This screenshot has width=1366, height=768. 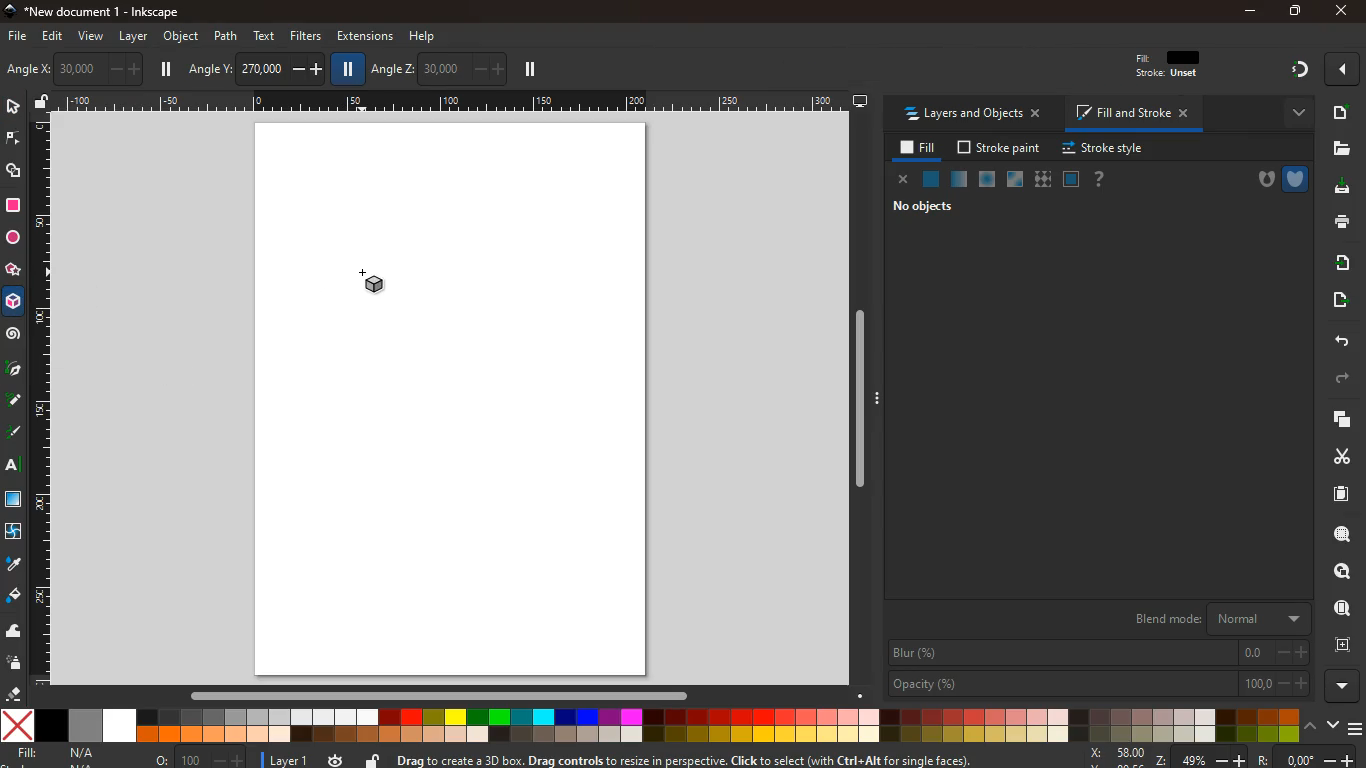 What do you see at coordinates (860, 693) in the screenshot?
I see `down` at bounding box center [860, 693].